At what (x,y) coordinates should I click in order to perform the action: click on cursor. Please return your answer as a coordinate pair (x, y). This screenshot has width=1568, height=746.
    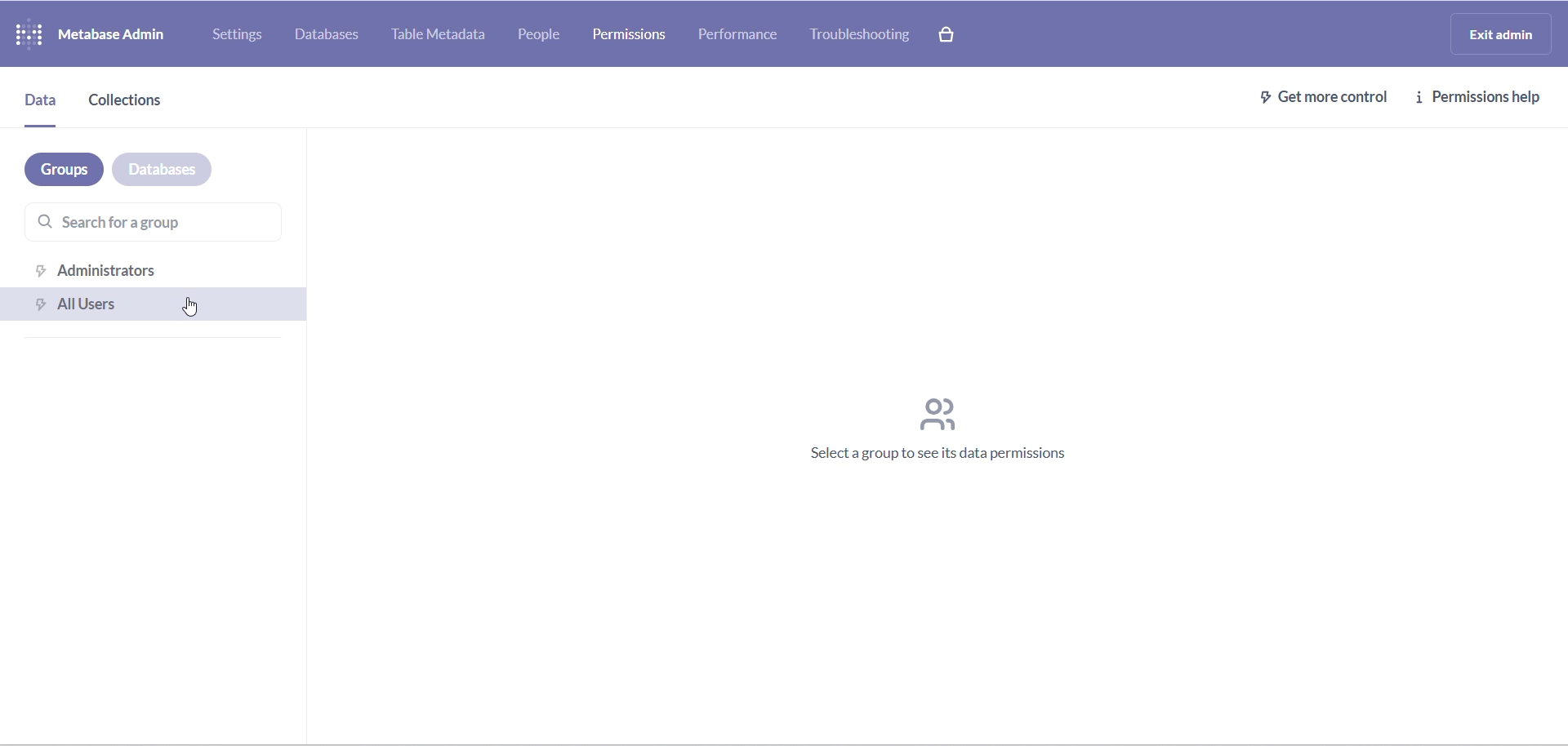
    Looking at the image, I should click on (192, 306).